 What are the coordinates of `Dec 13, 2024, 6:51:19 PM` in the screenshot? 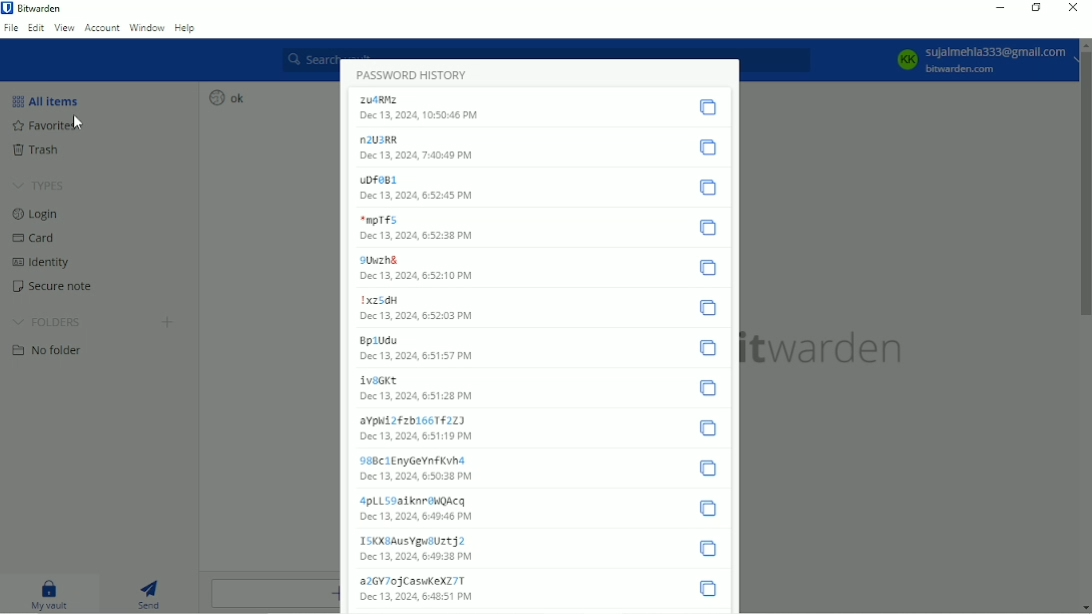 It's located at (414, 437).